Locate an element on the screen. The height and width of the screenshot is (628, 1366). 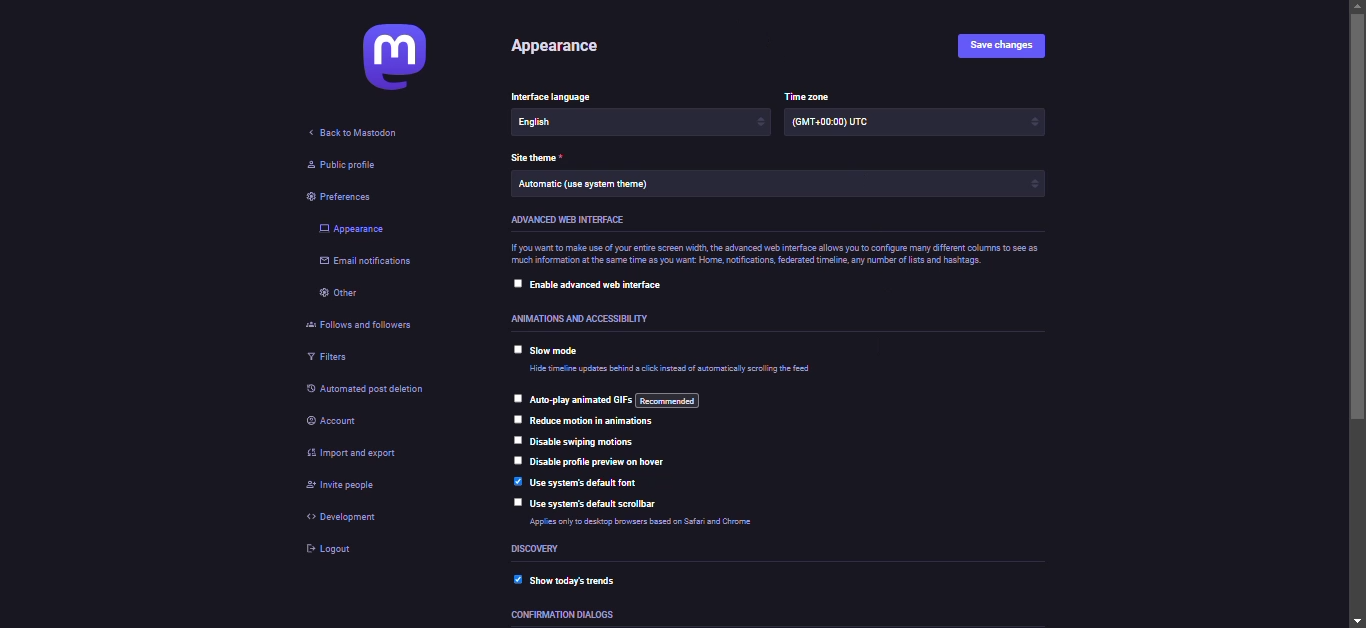
accessibility is located at coordinates (580, 317).